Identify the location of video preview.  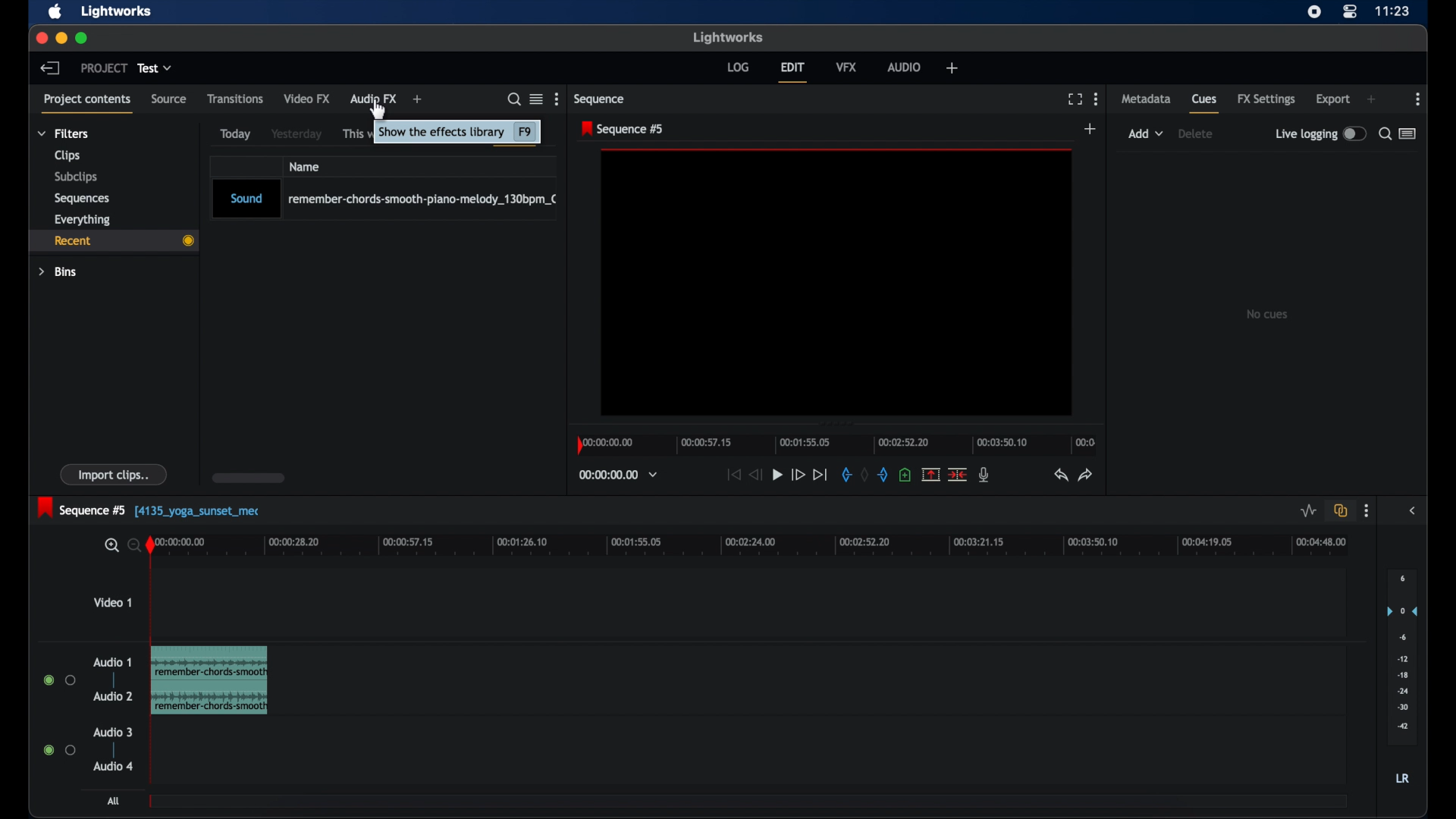
(837, 283).